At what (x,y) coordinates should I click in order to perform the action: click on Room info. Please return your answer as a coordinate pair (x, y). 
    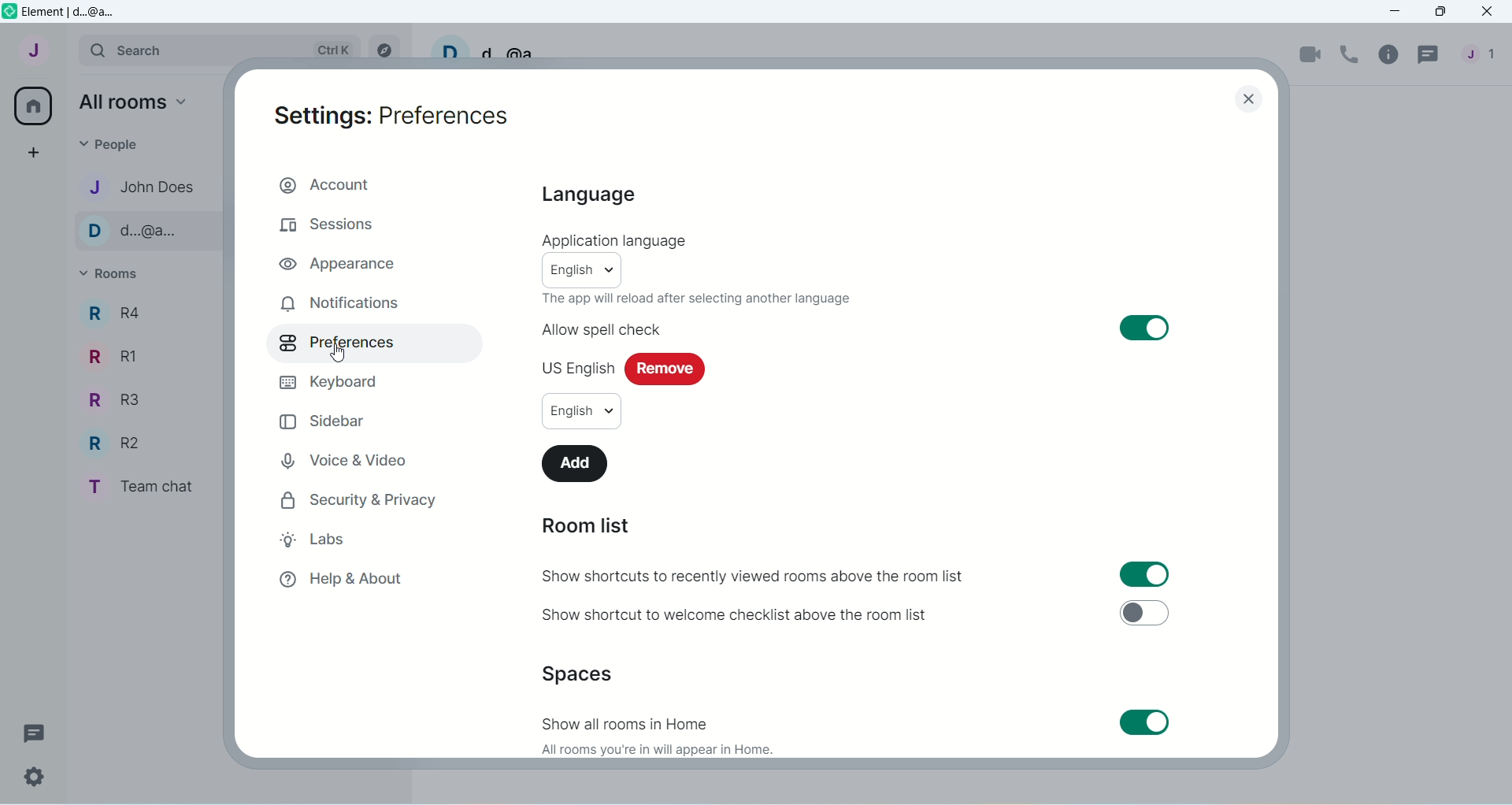
    Looking at the image, I should click on (1391, 57).